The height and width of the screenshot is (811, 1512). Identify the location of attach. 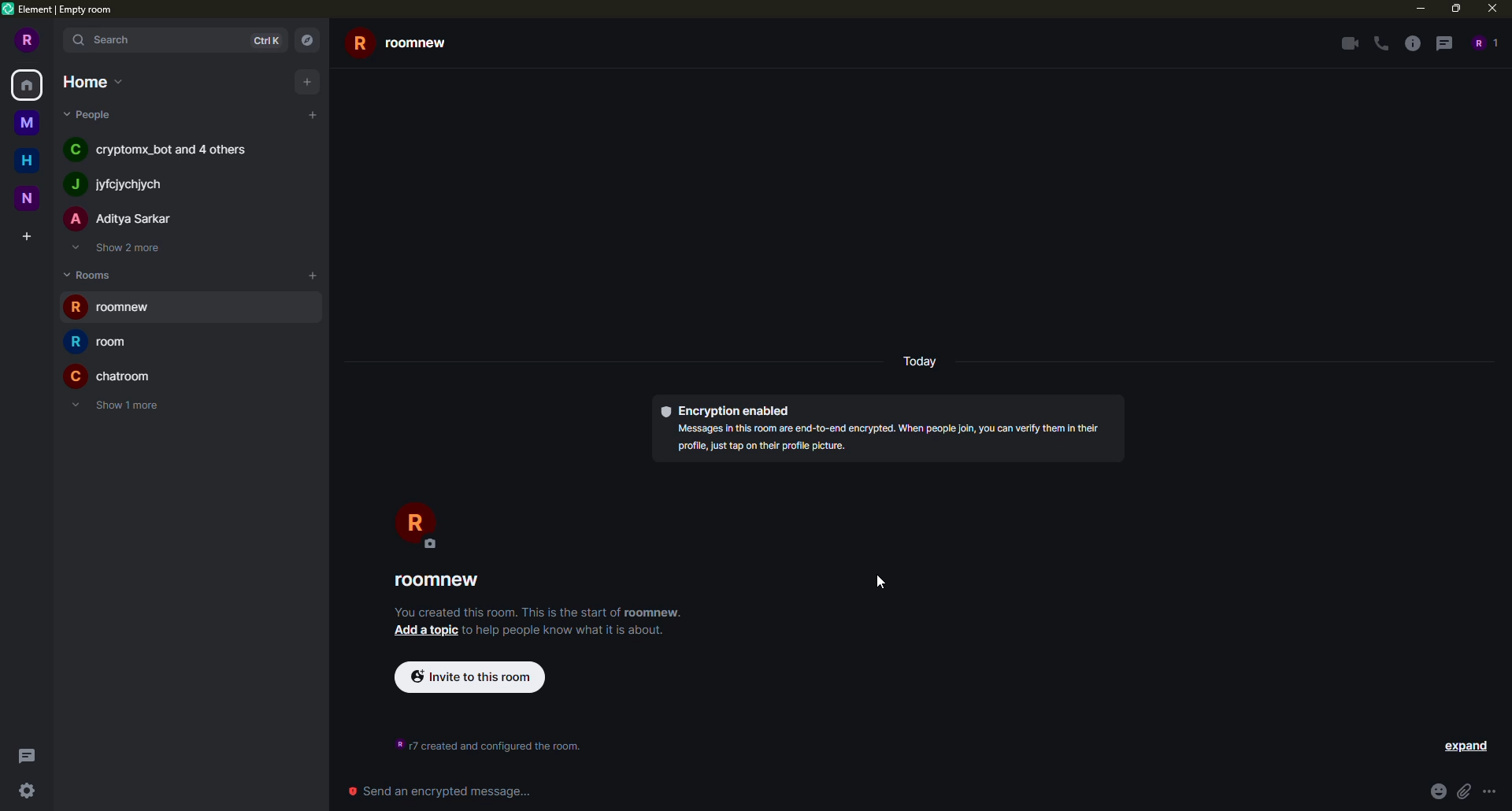
(1465, 791).